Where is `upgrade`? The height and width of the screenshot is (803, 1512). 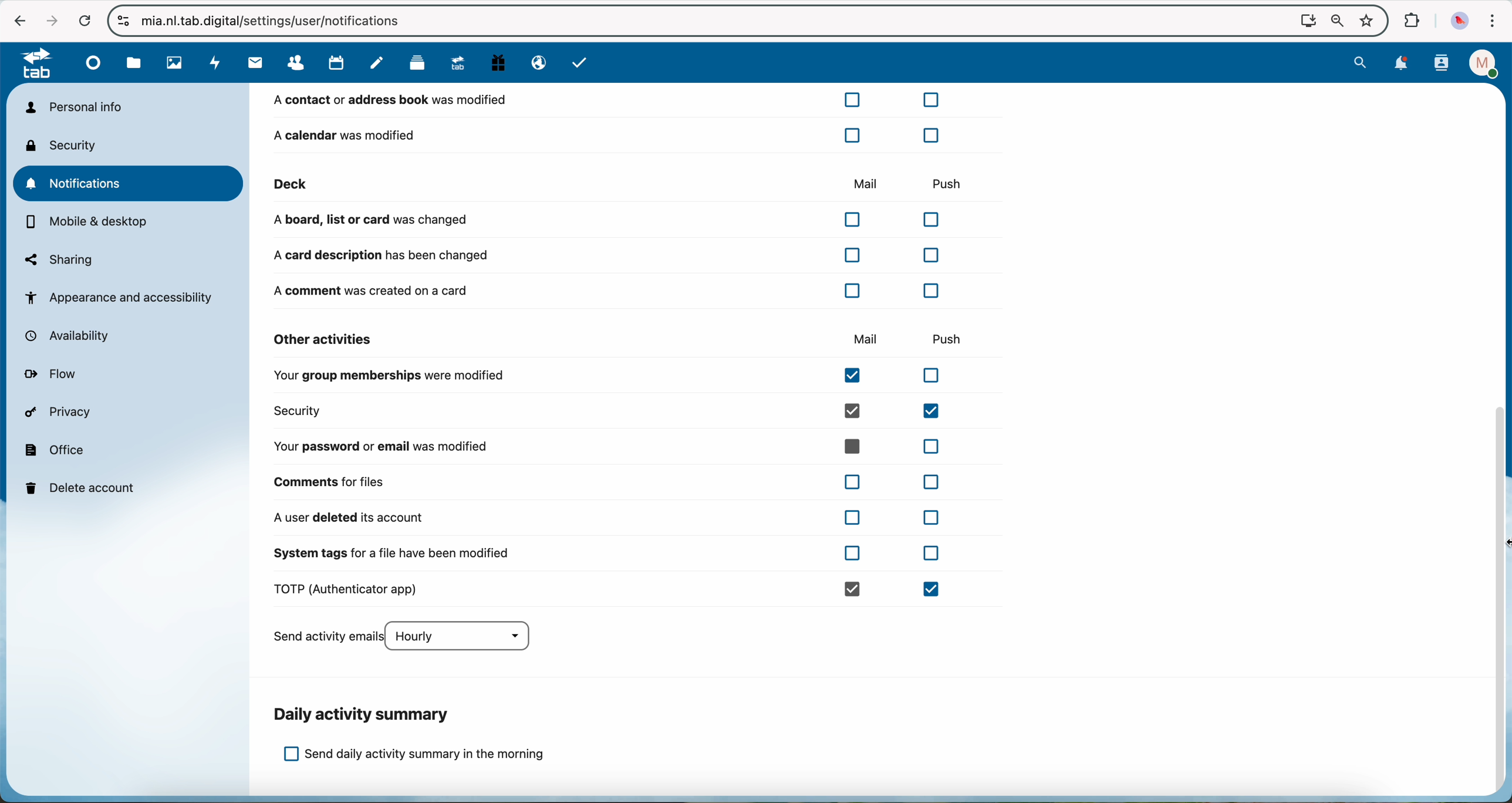
upgrade is located at coordinates (462, 65).